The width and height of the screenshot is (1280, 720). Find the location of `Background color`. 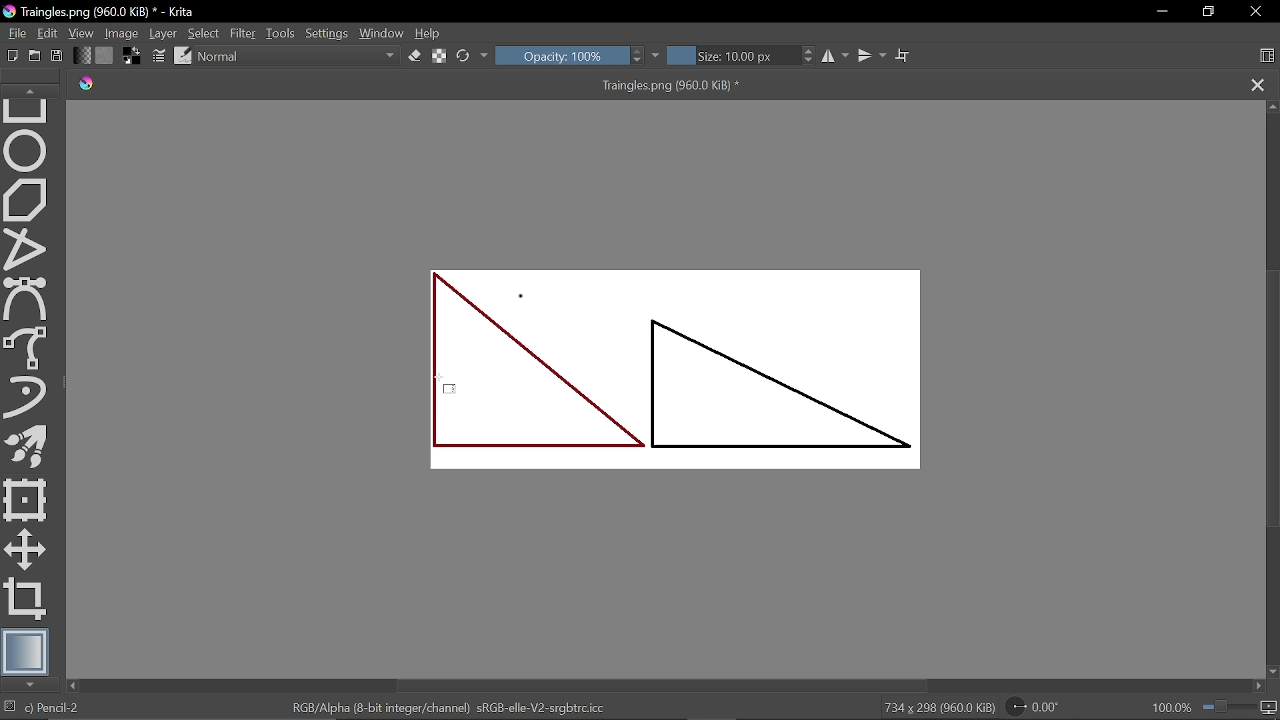

Background color is located at coordinates (131, 55).